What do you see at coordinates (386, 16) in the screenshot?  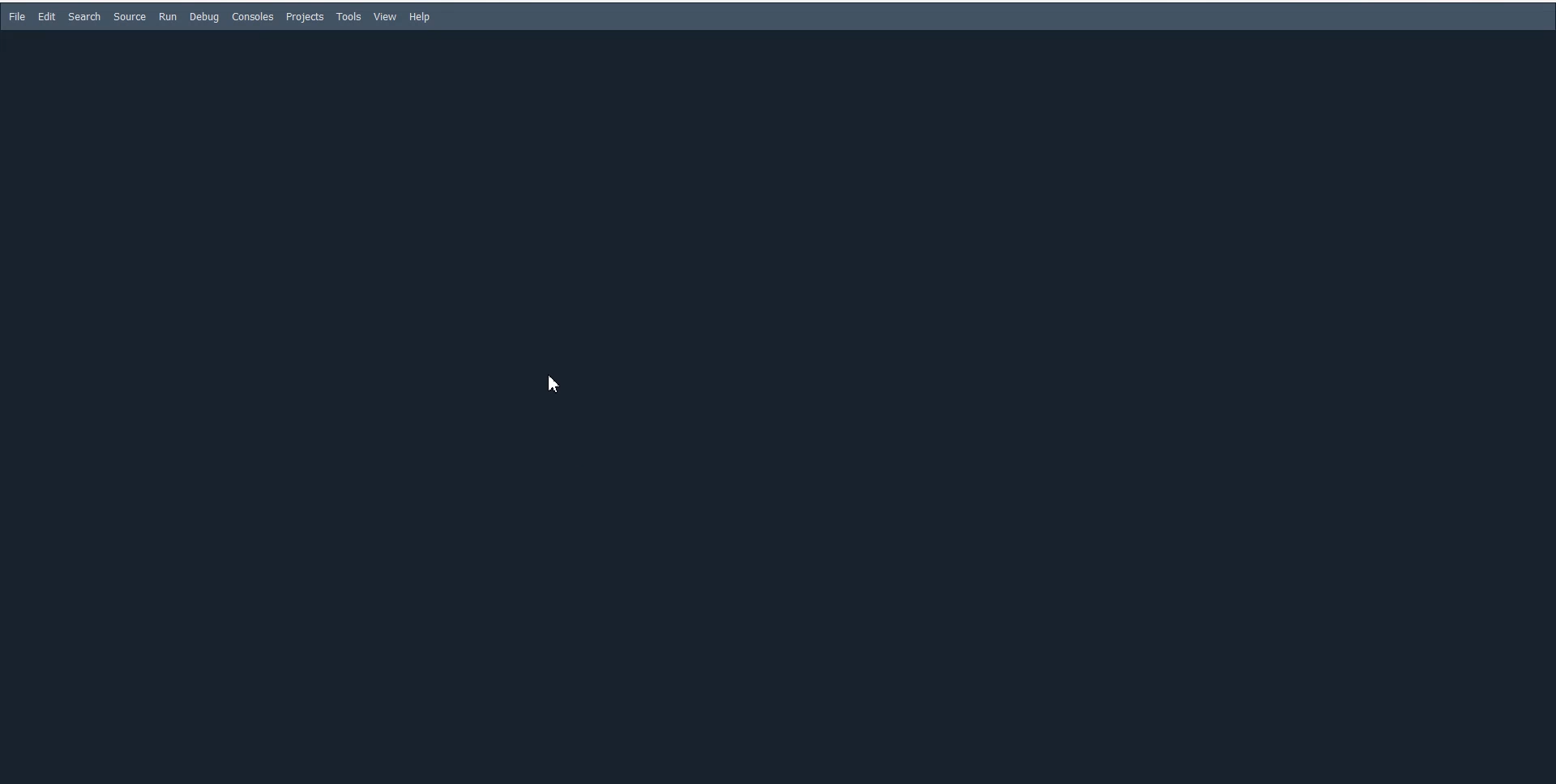 I see `View` at bounding box center [386, 16].